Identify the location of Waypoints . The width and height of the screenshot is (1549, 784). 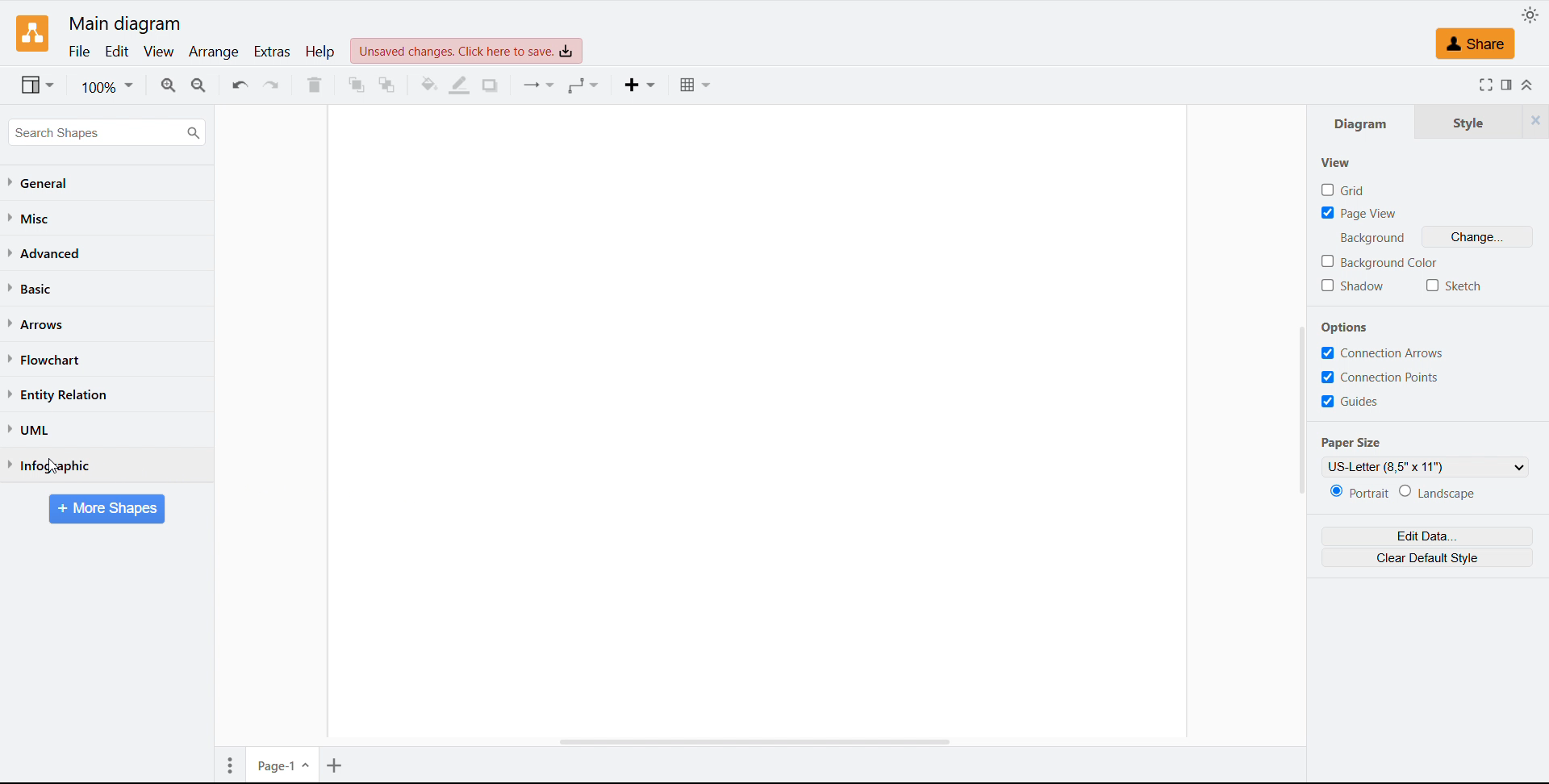
(586, 85).